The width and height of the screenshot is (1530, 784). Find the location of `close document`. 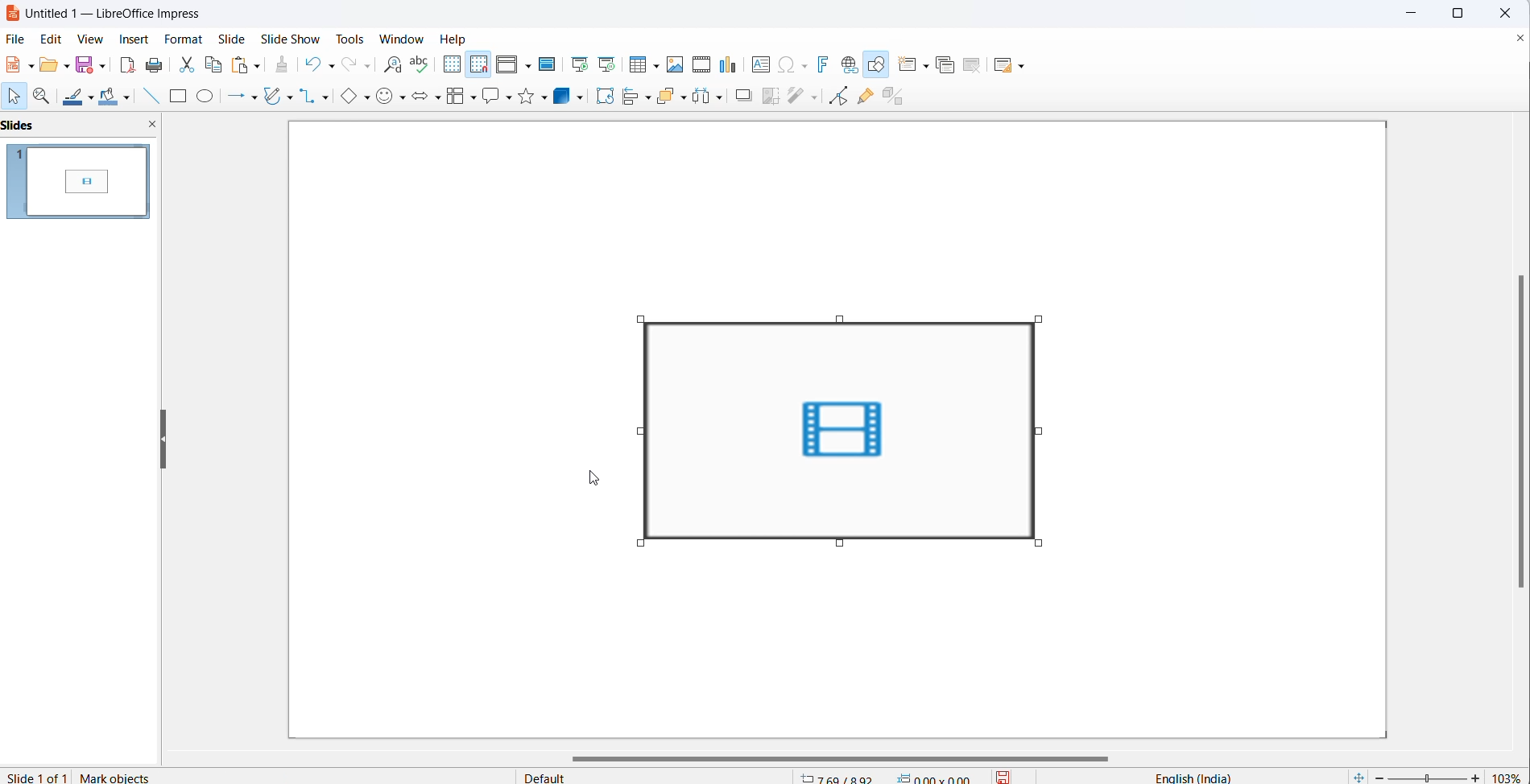

close document is located at coordinates (1517, 41).